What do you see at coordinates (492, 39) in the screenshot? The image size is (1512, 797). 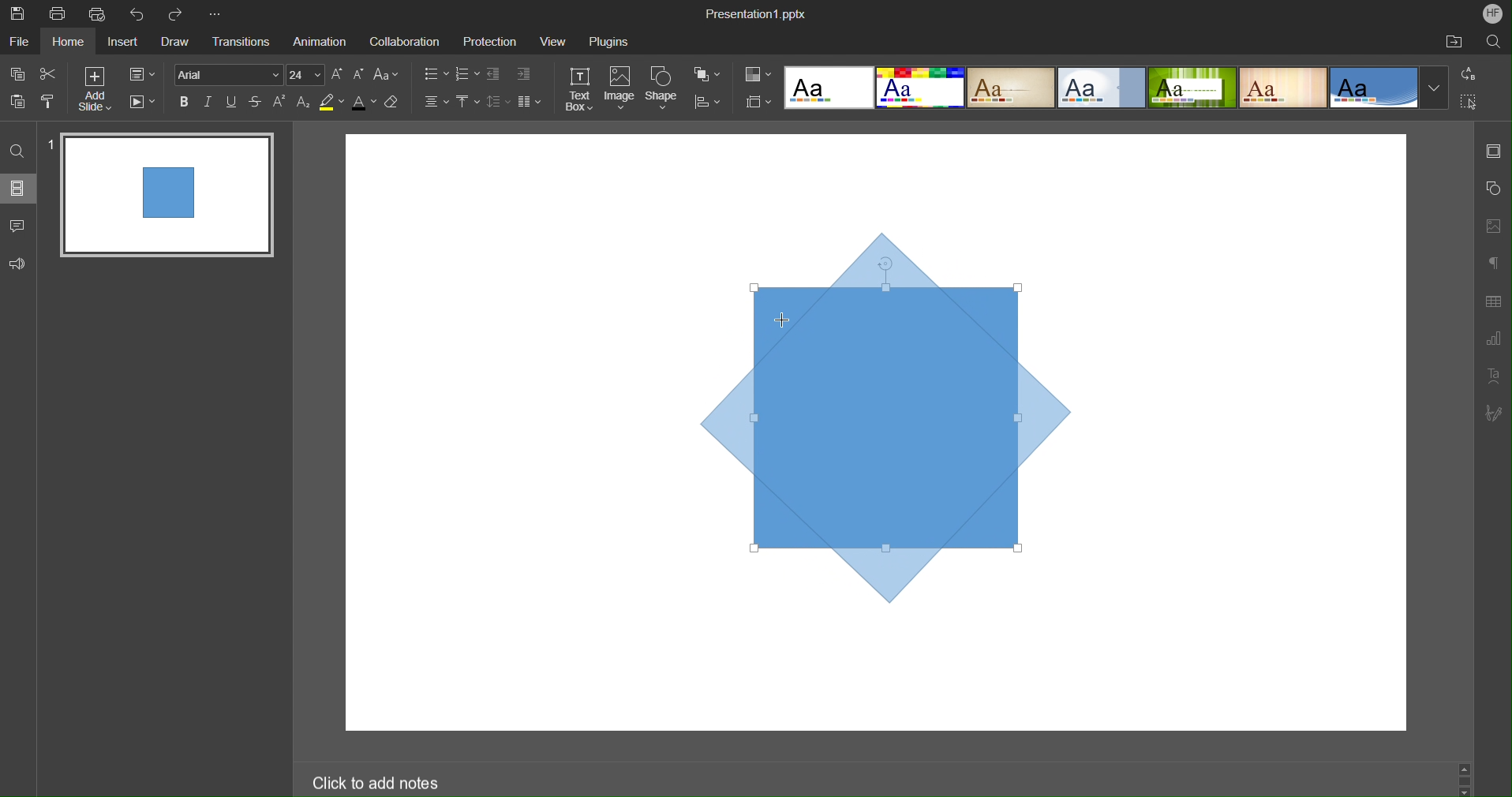 I see `Protection` at bounding box center [492, 39].